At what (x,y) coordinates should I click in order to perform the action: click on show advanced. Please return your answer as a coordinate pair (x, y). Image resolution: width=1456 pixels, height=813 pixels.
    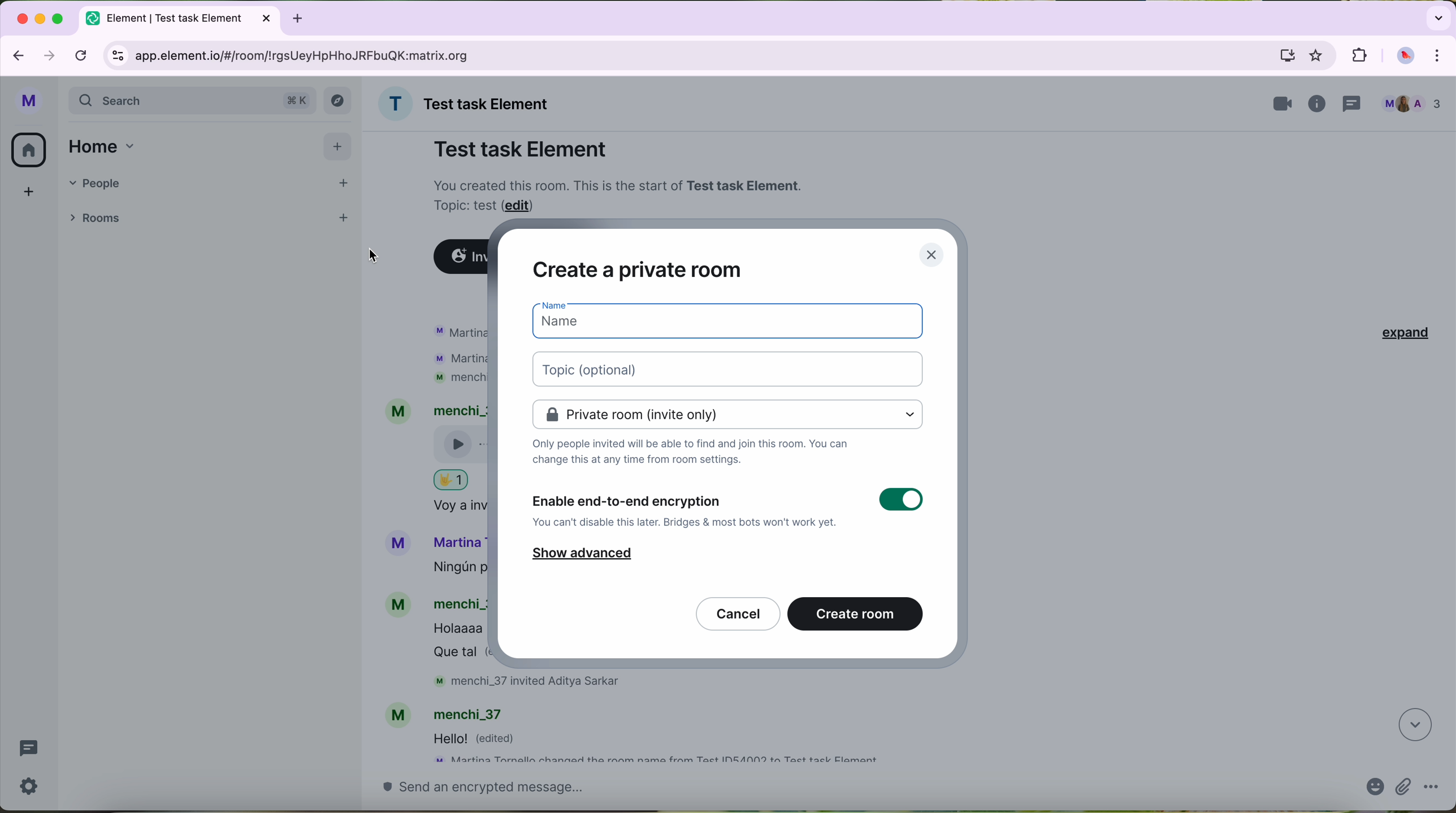
    Looking at the image, I should click on (582, 556).